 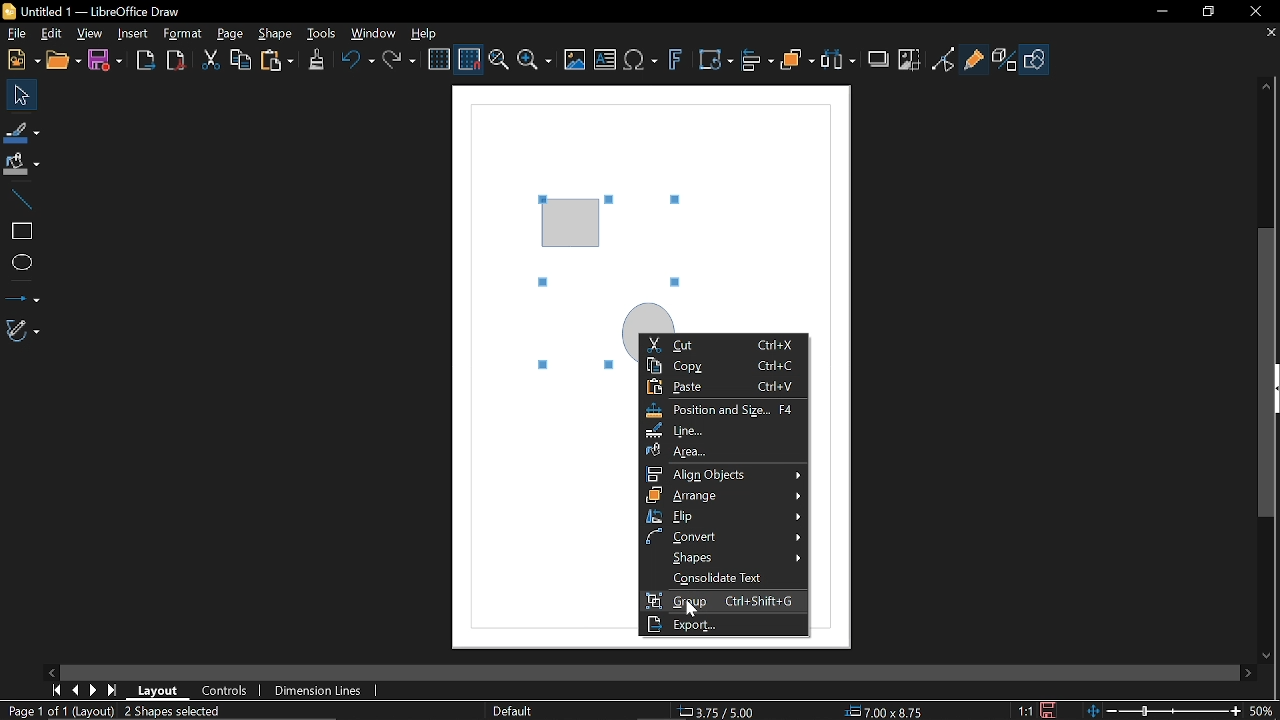 What do you see at coordinates (722, 515) in the screenshot?
I see `Flip` at bounding box center [722, 515].